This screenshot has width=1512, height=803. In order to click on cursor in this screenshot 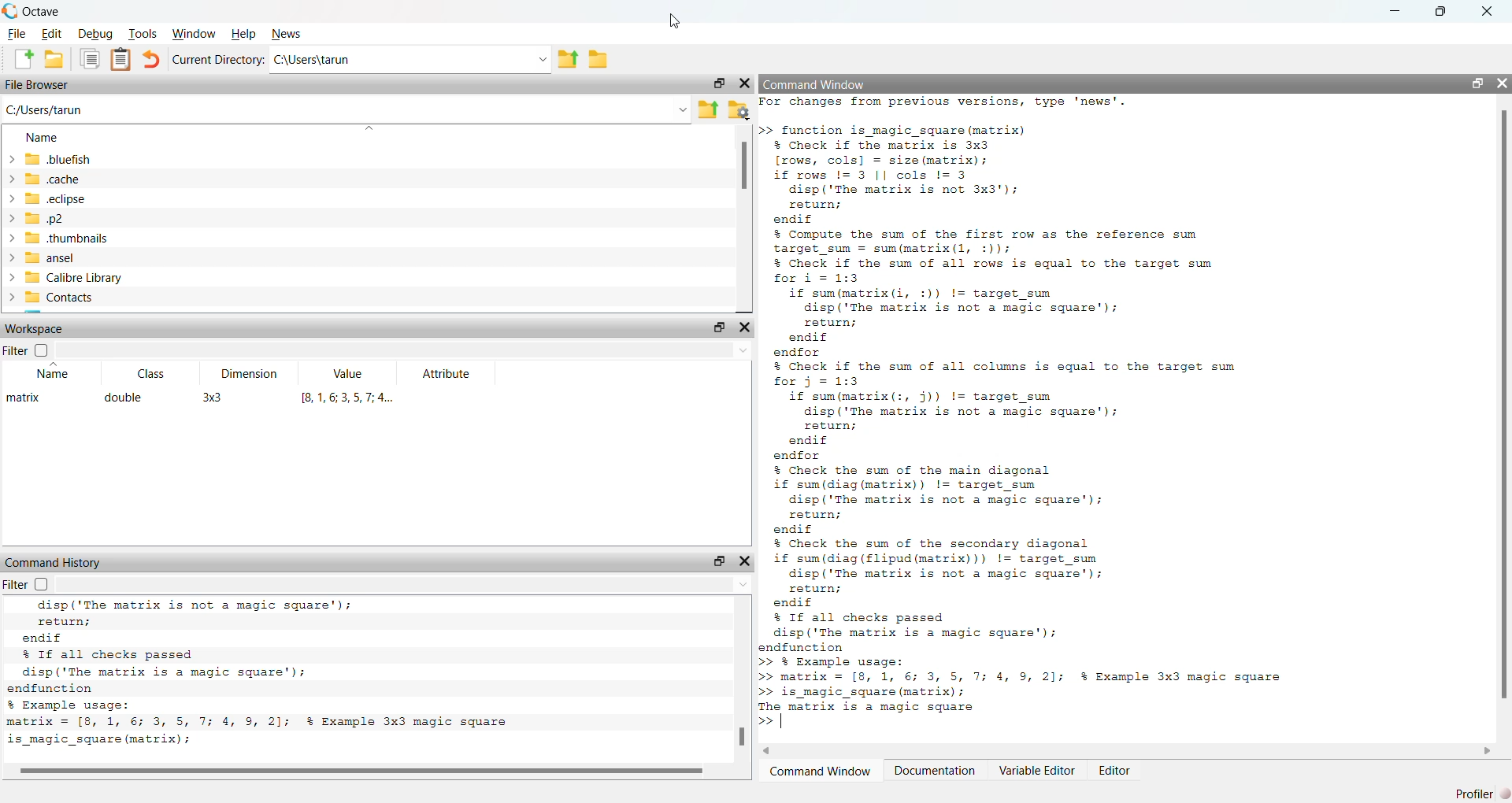, I will do `click(680, 21)`.